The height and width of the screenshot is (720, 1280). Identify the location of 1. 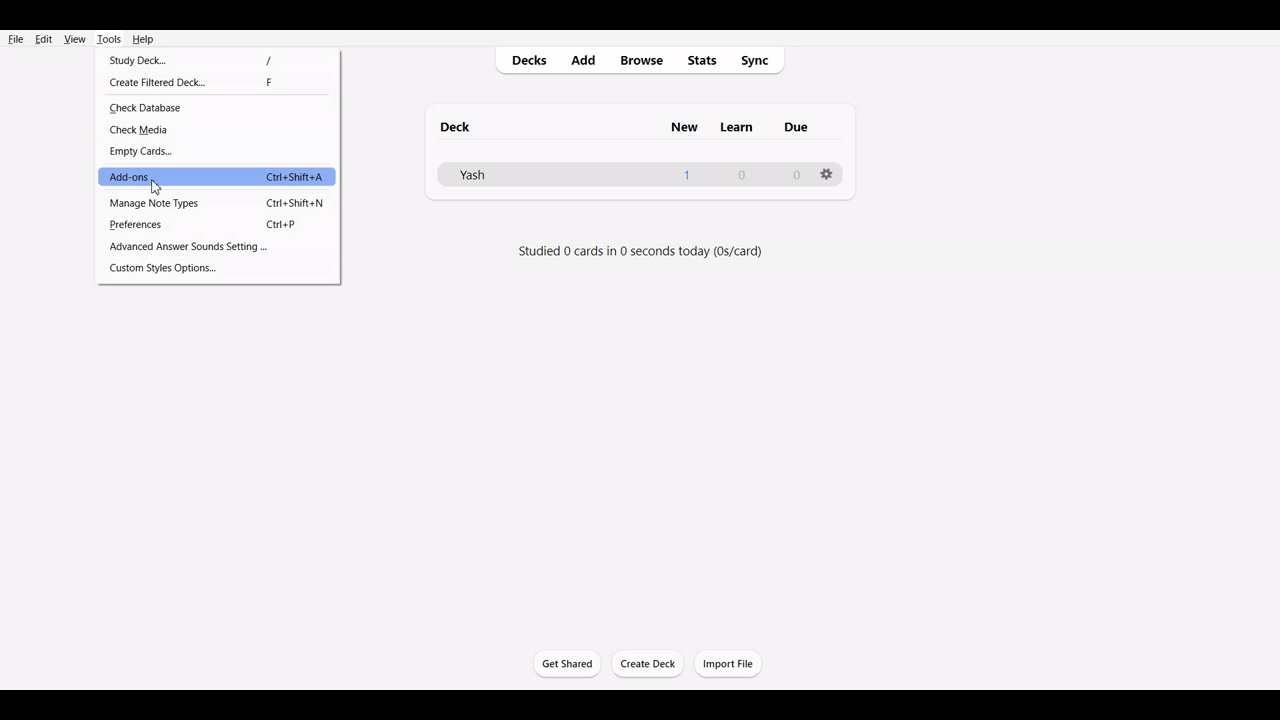
(688, 176).